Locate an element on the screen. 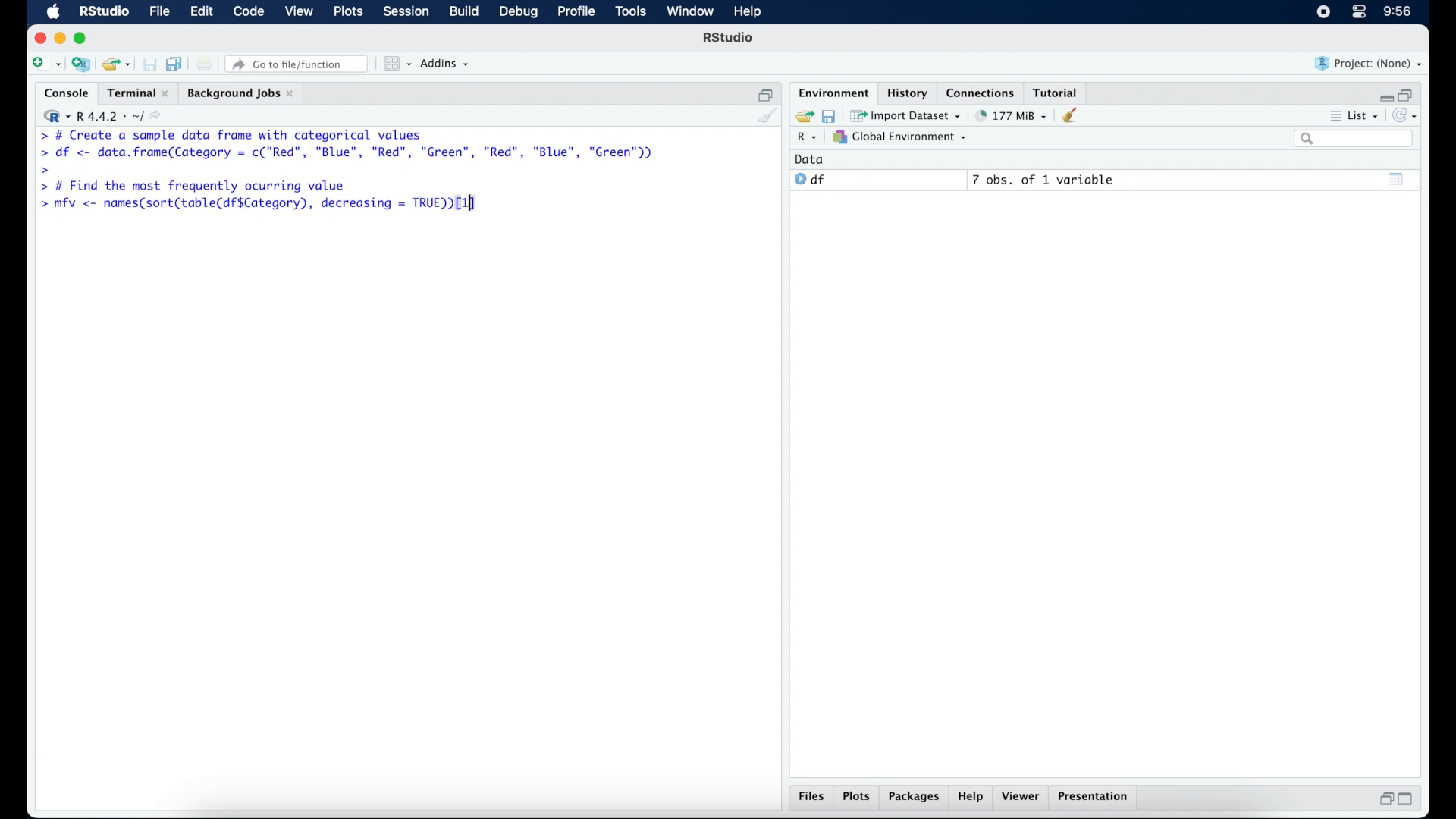 The width and height of the screenshot is (1456, 819). R 4.4.2 is located at coordinates (102, 114).